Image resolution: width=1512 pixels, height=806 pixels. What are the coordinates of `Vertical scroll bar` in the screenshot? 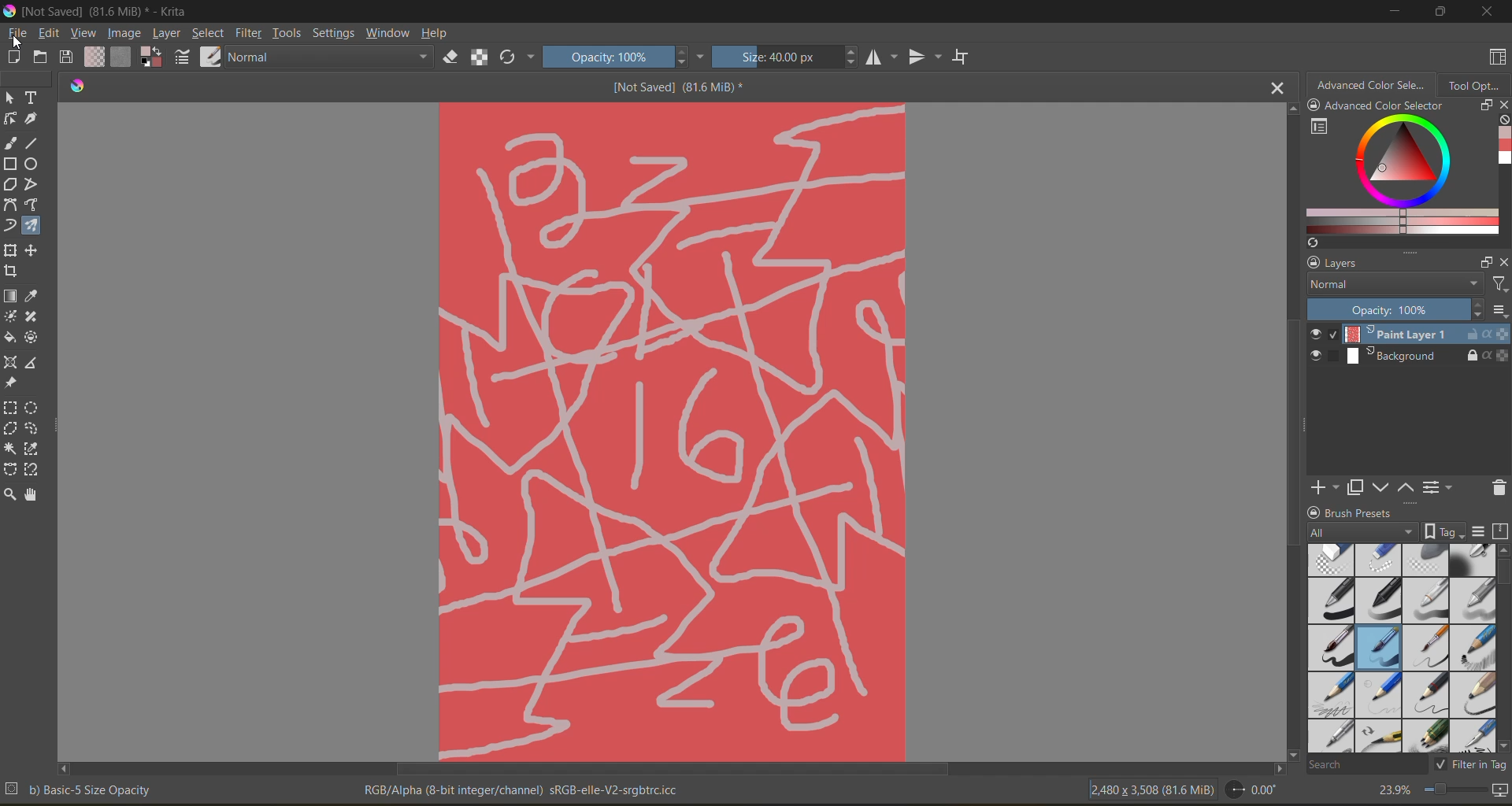 It's located at (1290, 430).